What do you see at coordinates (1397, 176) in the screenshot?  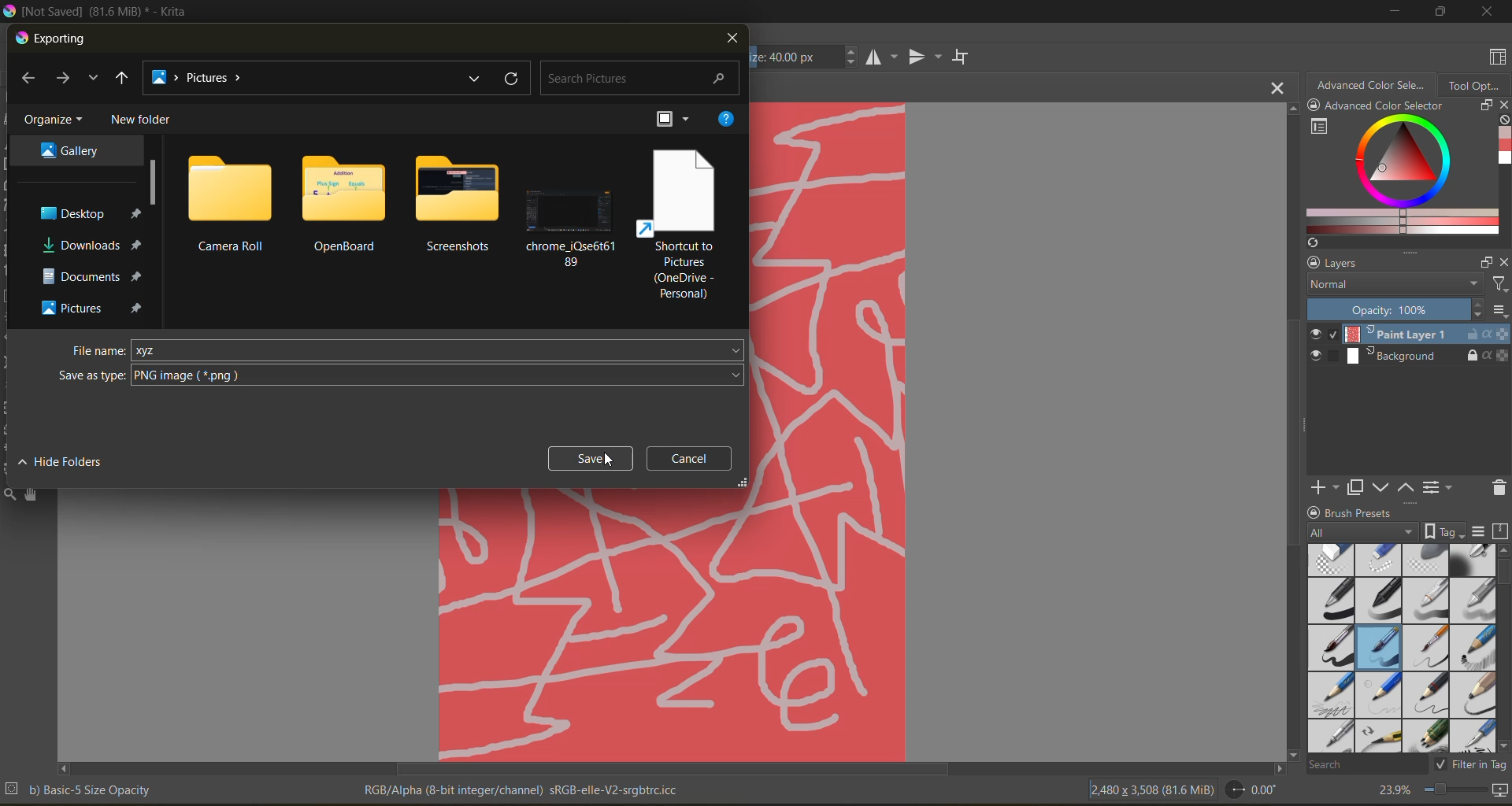 I see `advanced color selector` at bounding box center [1397, 176].